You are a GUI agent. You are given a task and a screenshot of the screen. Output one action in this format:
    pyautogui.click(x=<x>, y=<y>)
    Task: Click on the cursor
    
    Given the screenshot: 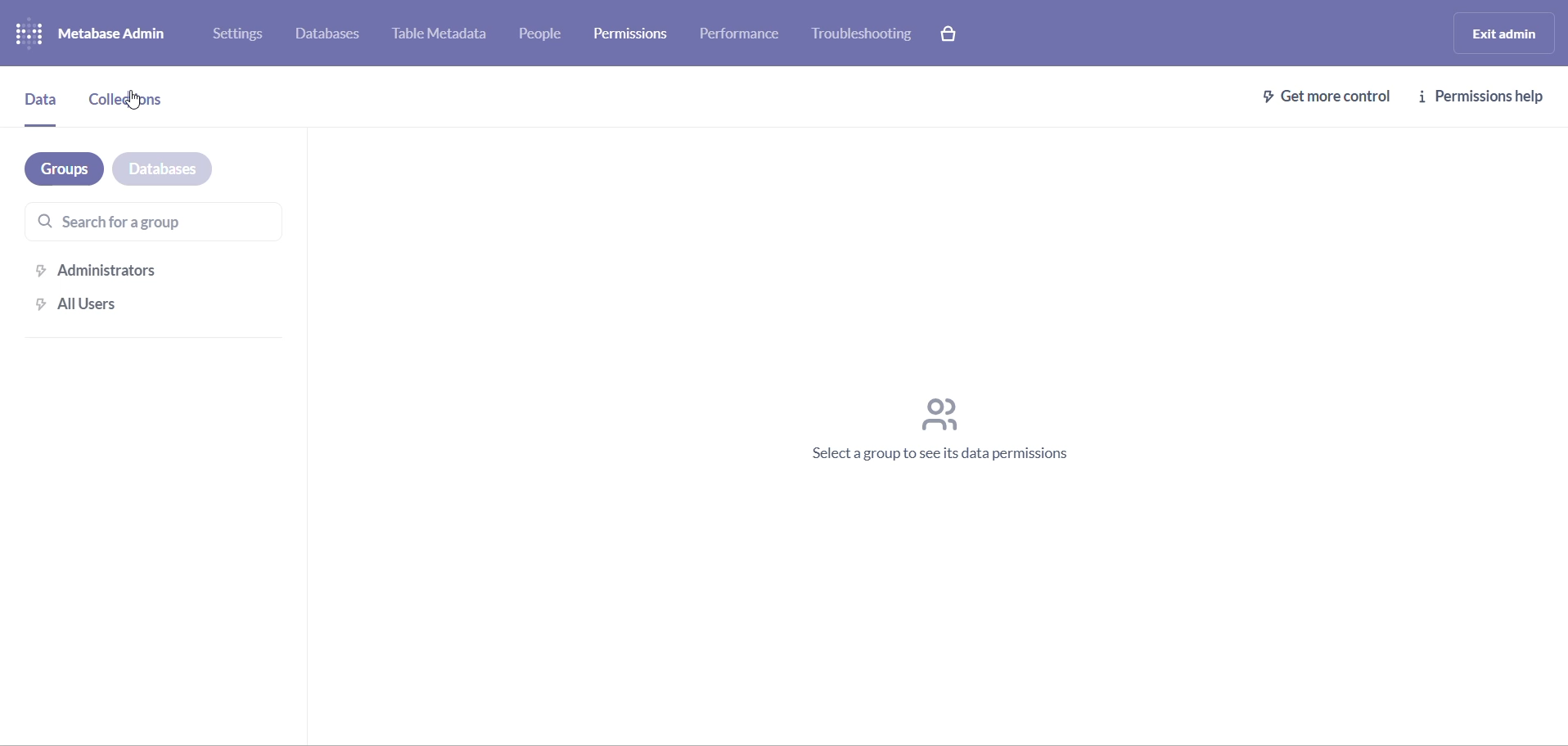 What is the action you would take?
    pyautogui.click(x=140, y=101)
    